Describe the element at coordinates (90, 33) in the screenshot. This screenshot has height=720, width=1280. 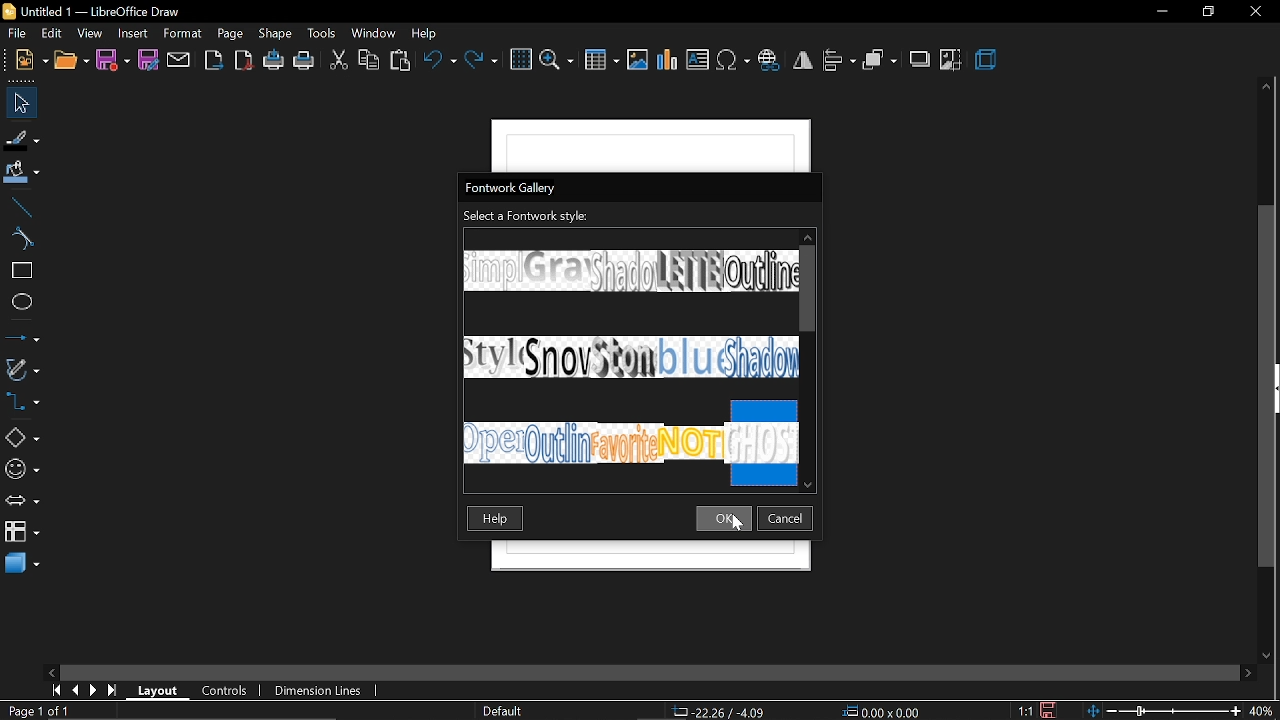
I see `view` at that location.